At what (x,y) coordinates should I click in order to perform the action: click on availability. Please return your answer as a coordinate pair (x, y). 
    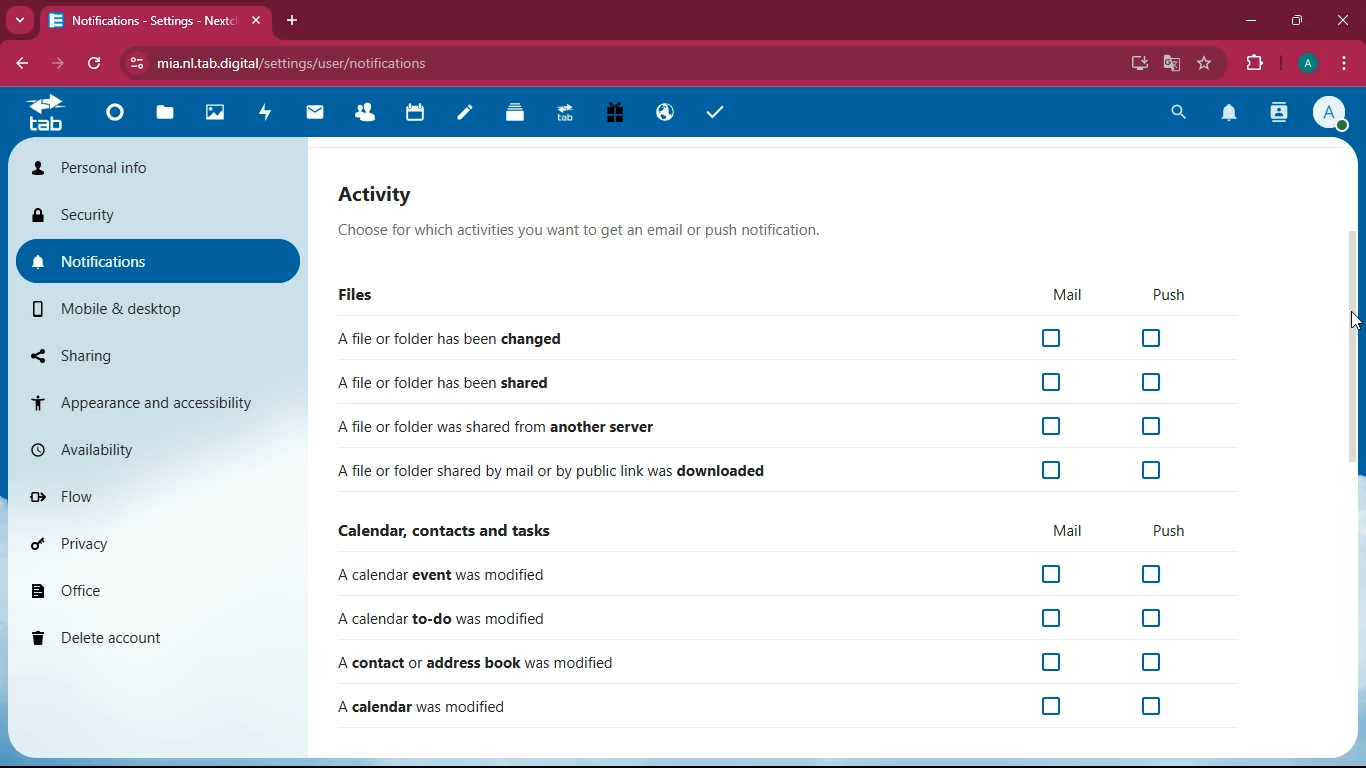
    Looking at the image, I should click on (159, 451).